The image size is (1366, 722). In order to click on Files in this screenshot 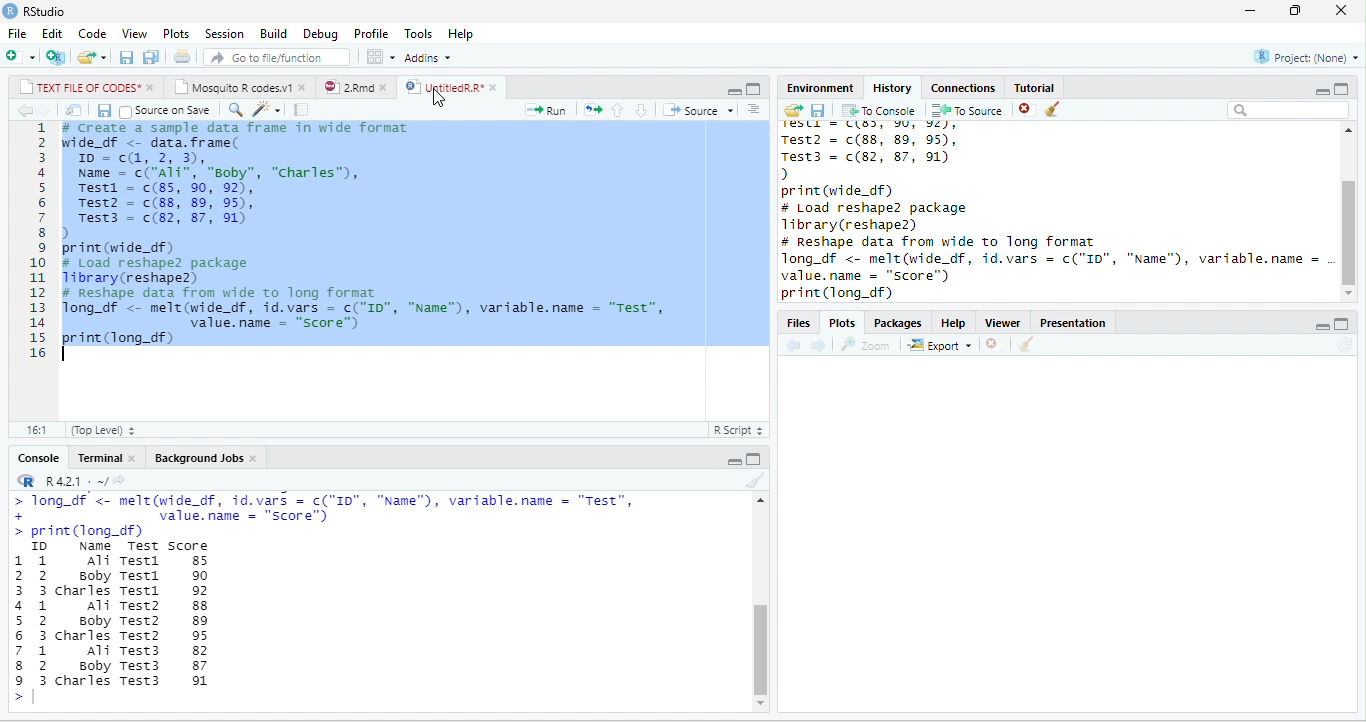, I will do `click(798, 322)`.